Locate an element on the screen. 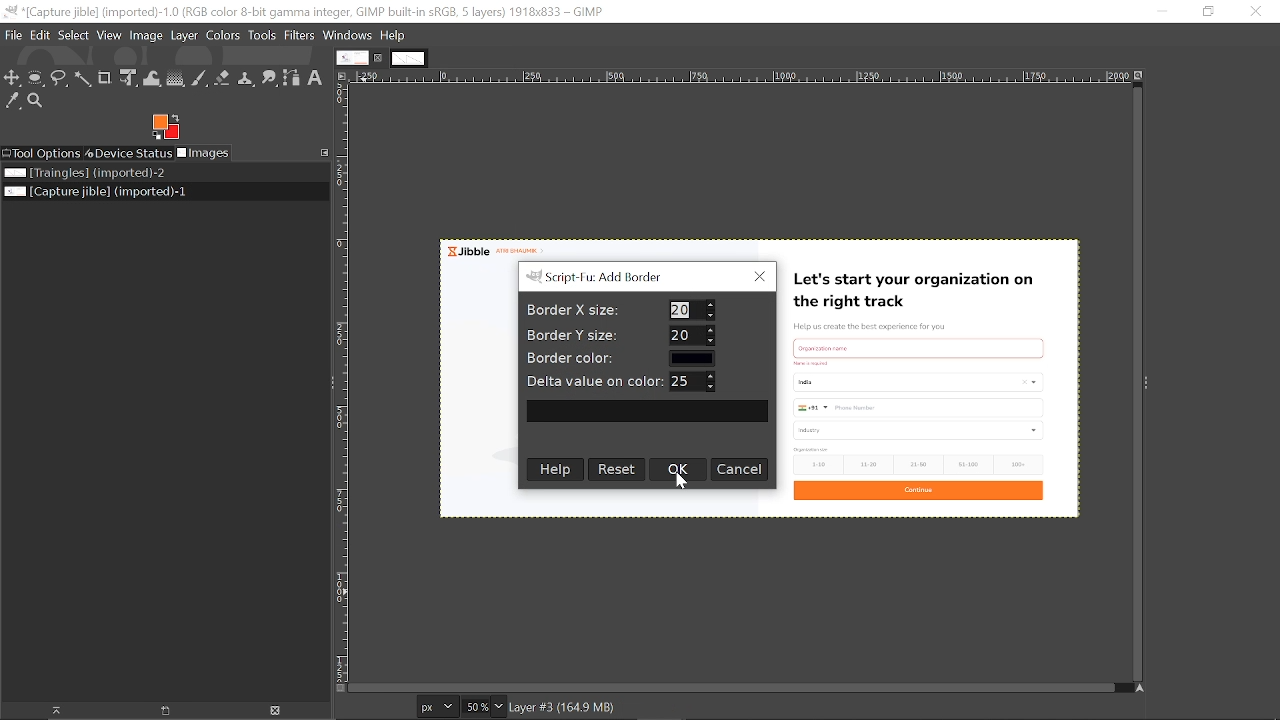 The height and width of the screenshot is (720, 1280). Delete image is located at coordinates (282, 710).